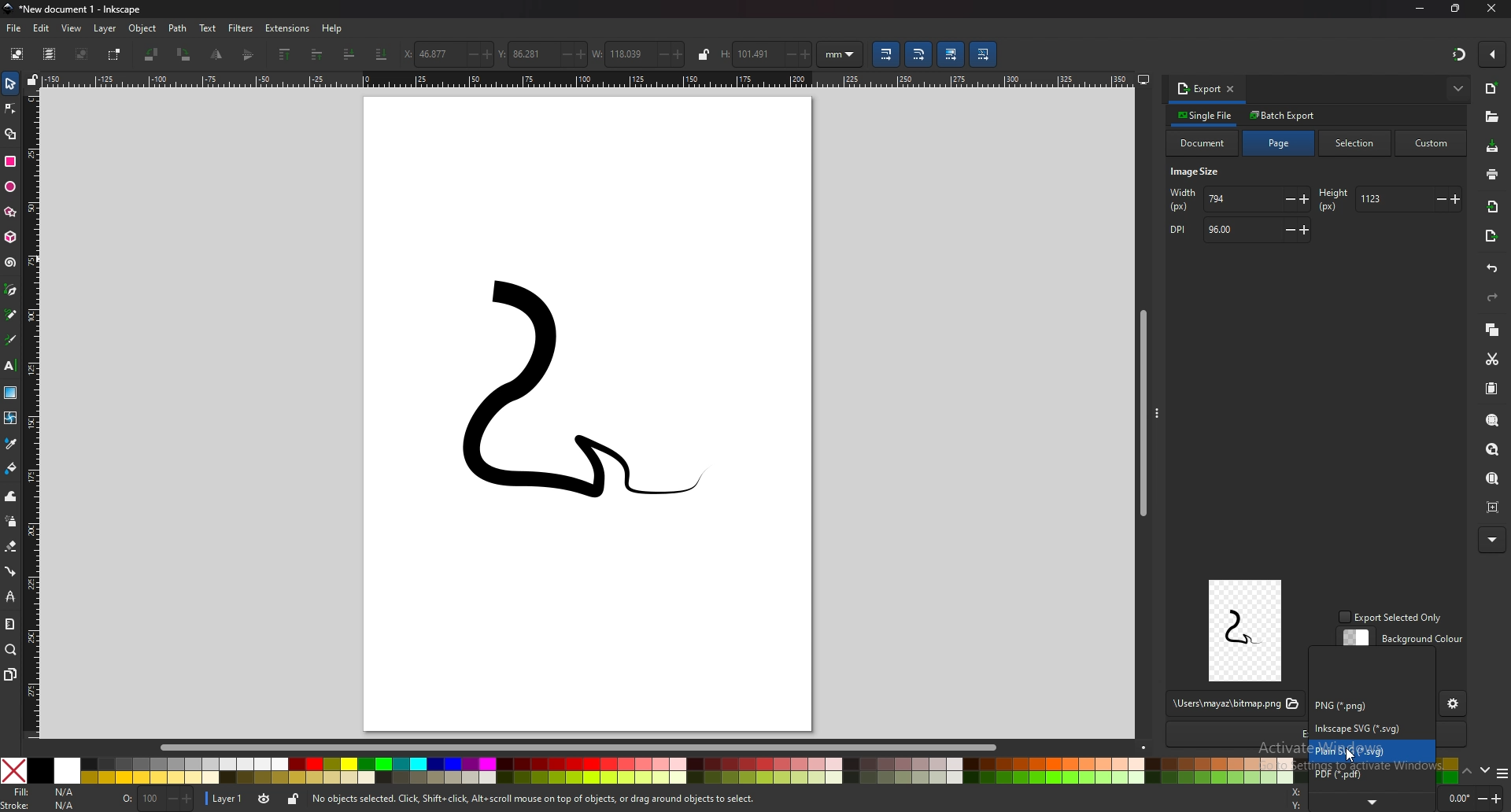  Describe the element at coordinates (1501, 774) in the screenshot. I see `more colors` at that location.